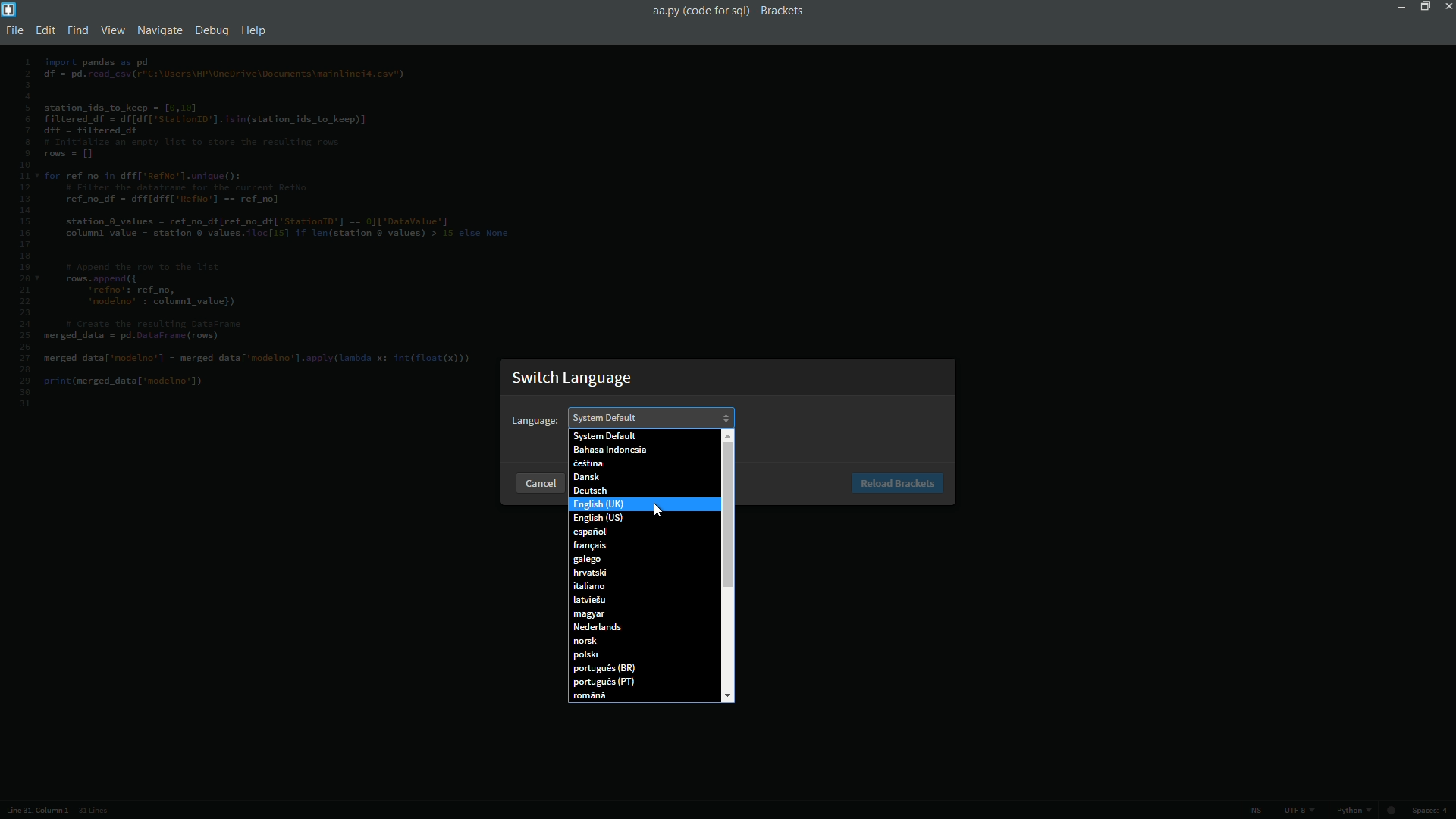 This screenshot has width=1456, height=819. Describe the element at coordinates (595, 628) in the screenshot. I see `language-14` at that location.